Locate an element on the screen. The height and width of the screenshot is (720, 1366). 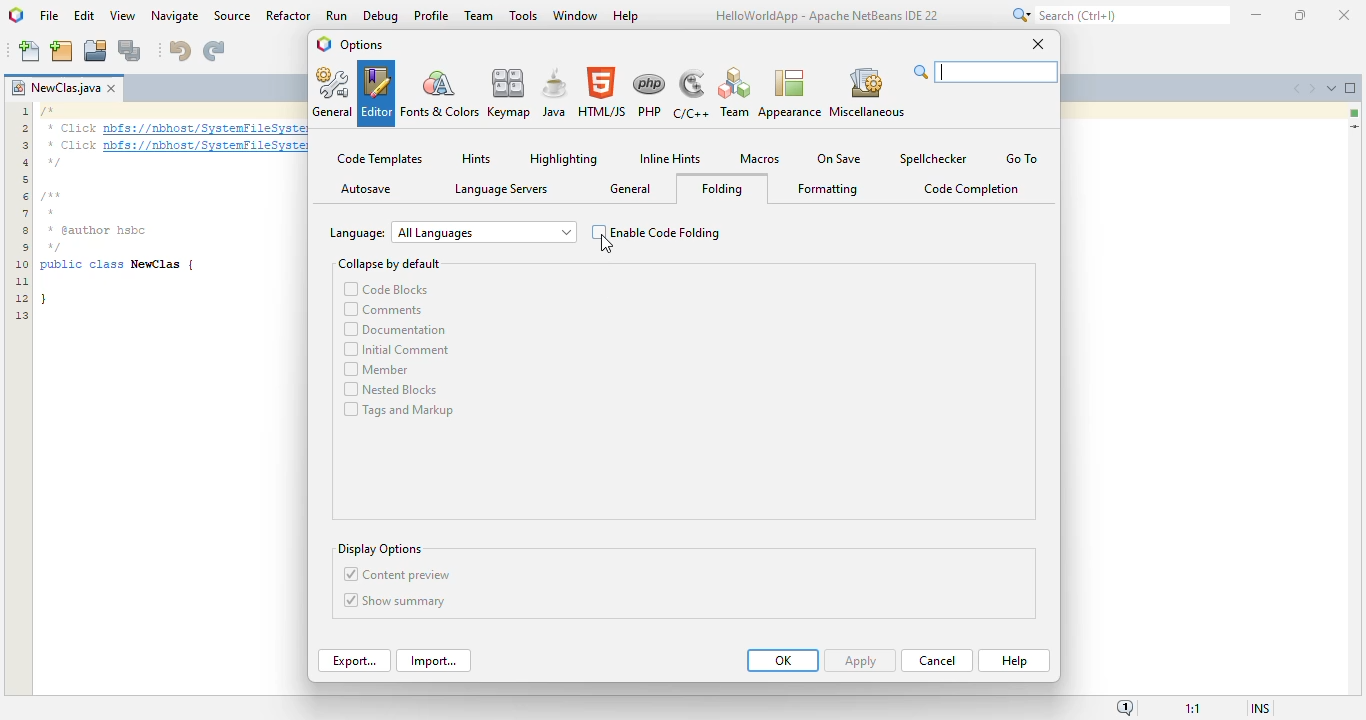
team is located at coordinates (737, 93).